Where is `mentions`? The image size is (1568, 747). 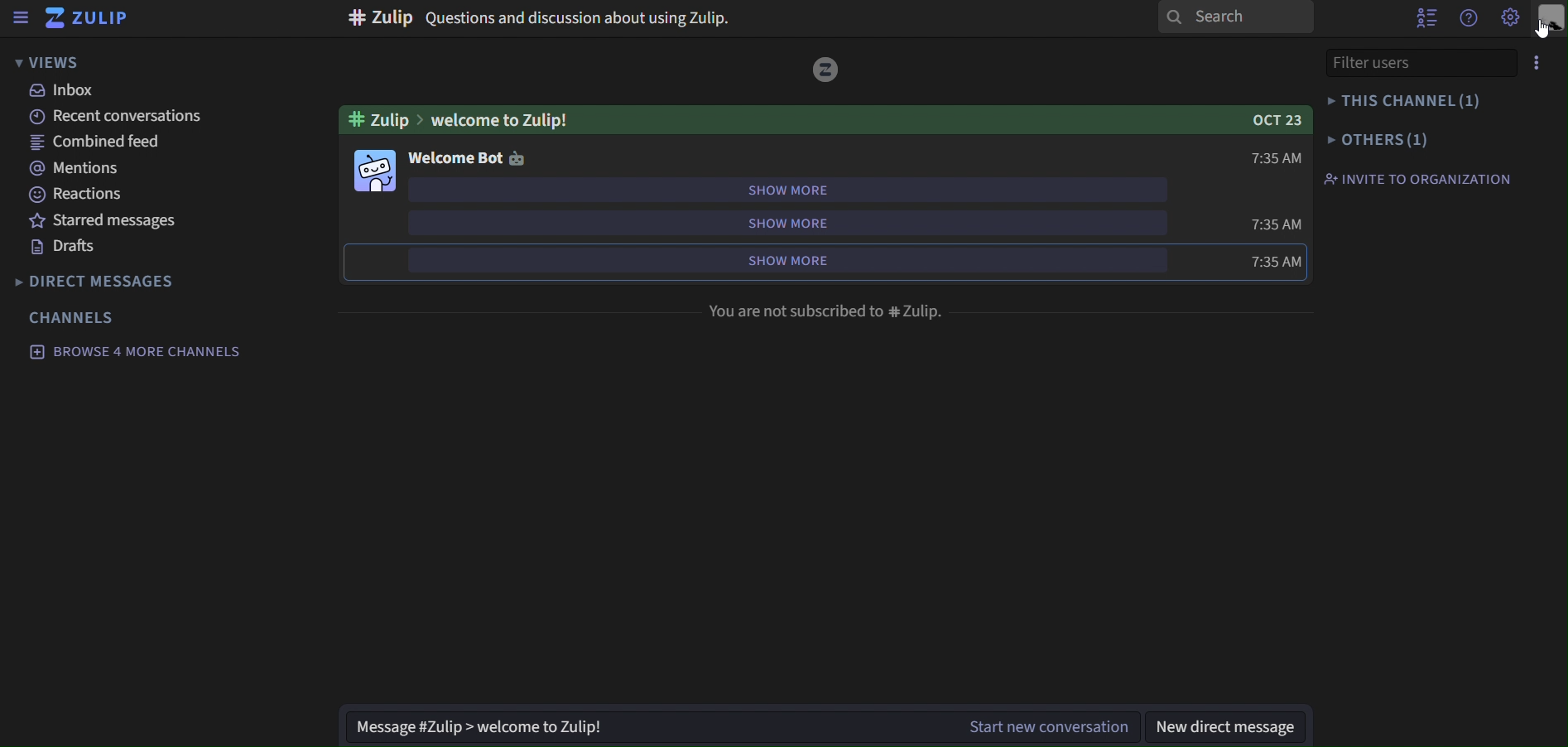 mentions is located at coordinates (71, 169).